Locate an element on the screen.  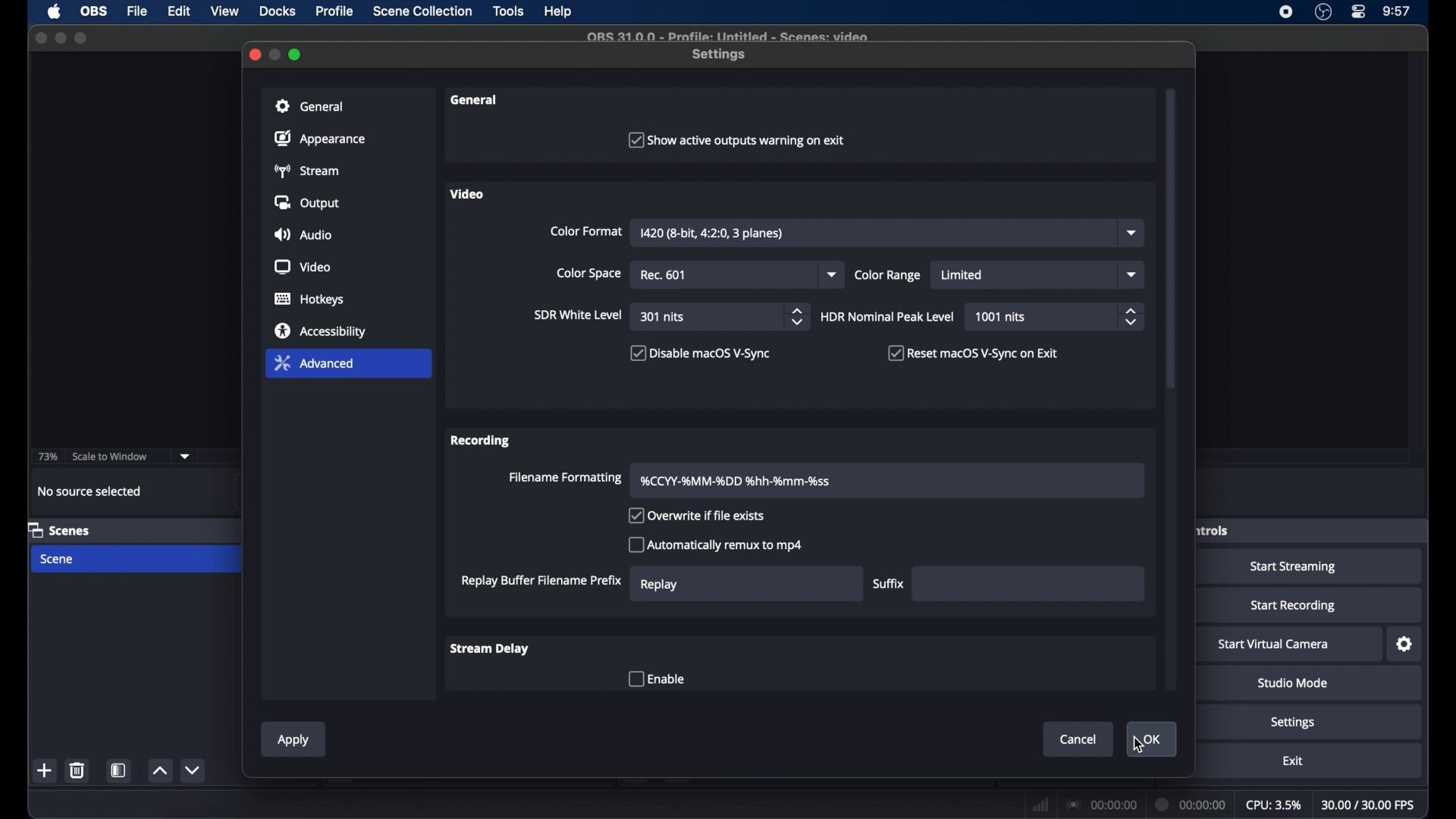
filename formatting is located at coordinates (567, 478).